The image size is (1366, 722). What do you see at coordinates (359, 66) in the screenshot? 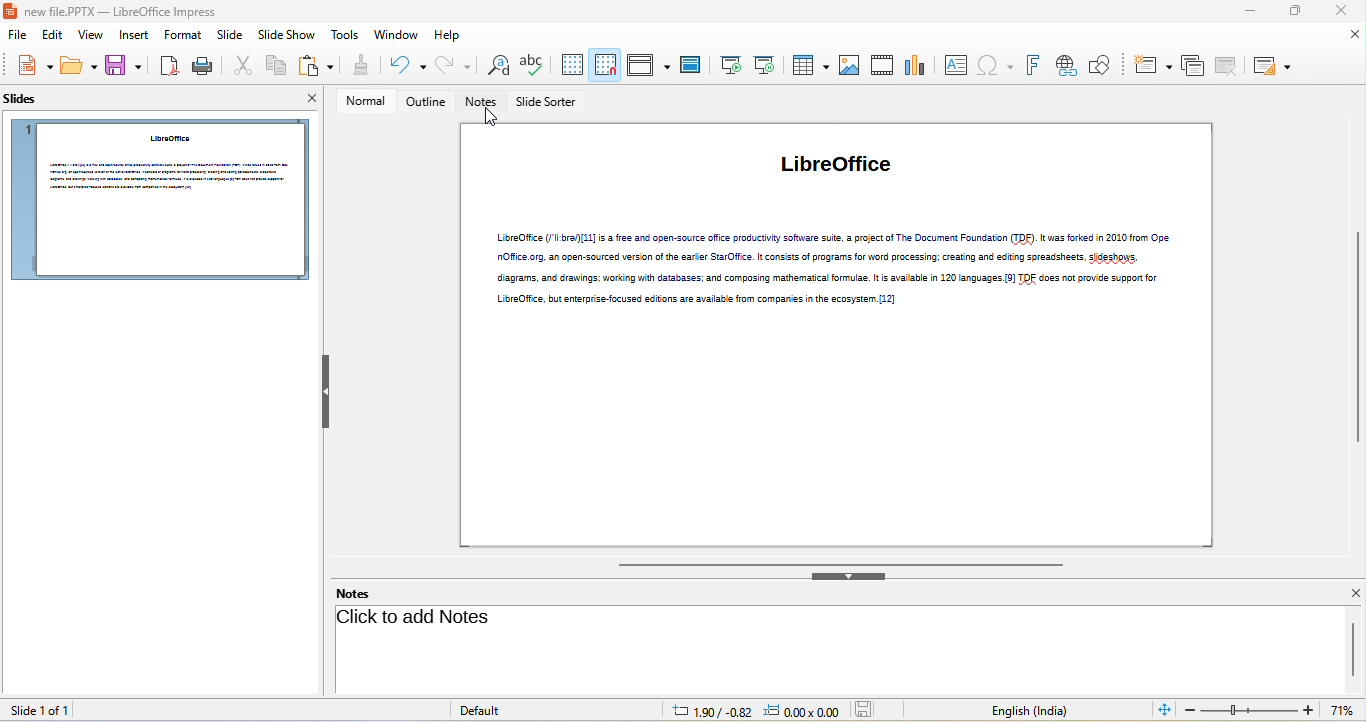
I see `clone formatting` at bounding box center [359, 66].